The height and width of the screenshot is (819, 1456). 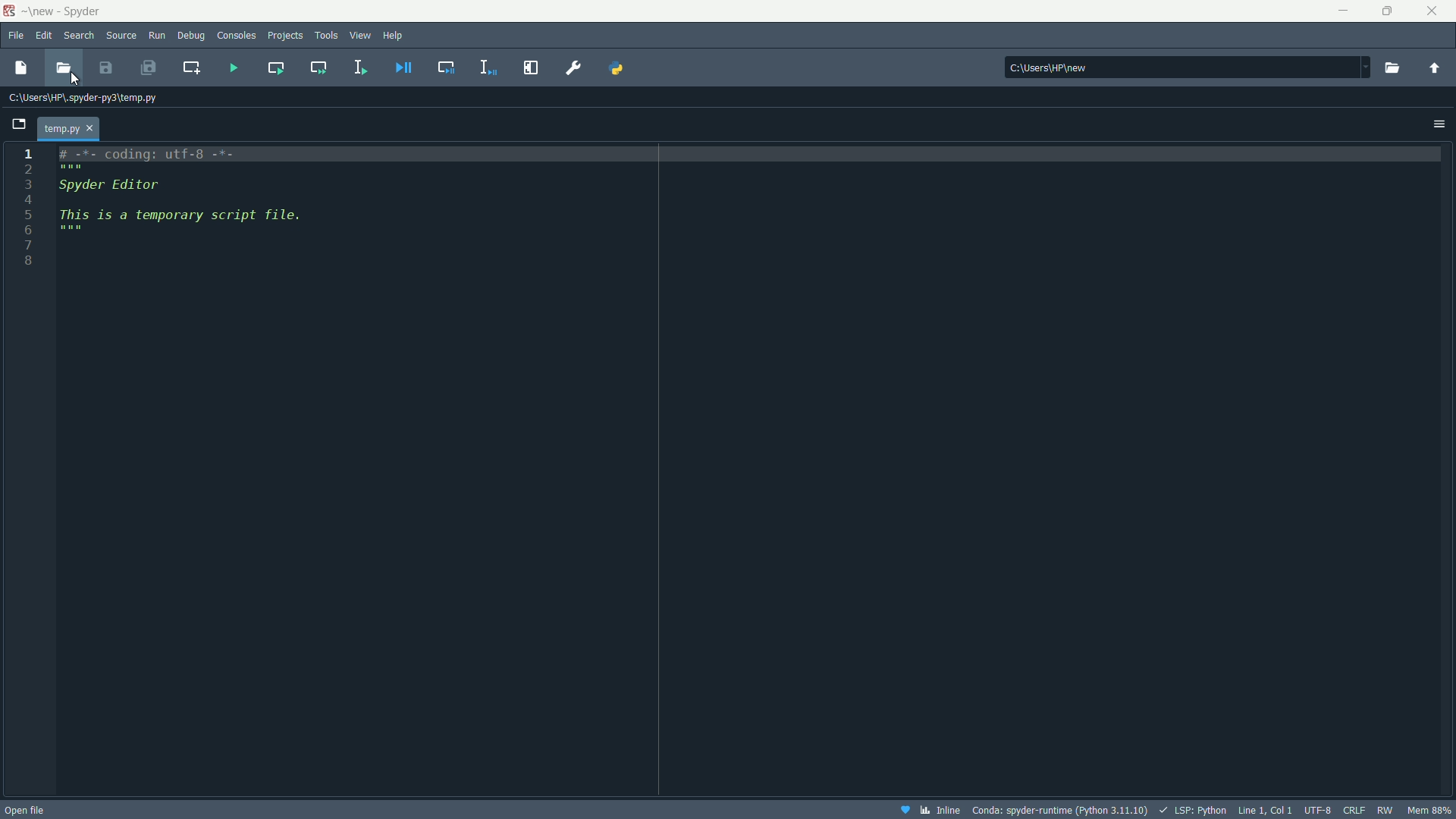 What do you see at coordinates (19, 67) in the screenshot?
I see `New file` at bounding box center [19, 67].